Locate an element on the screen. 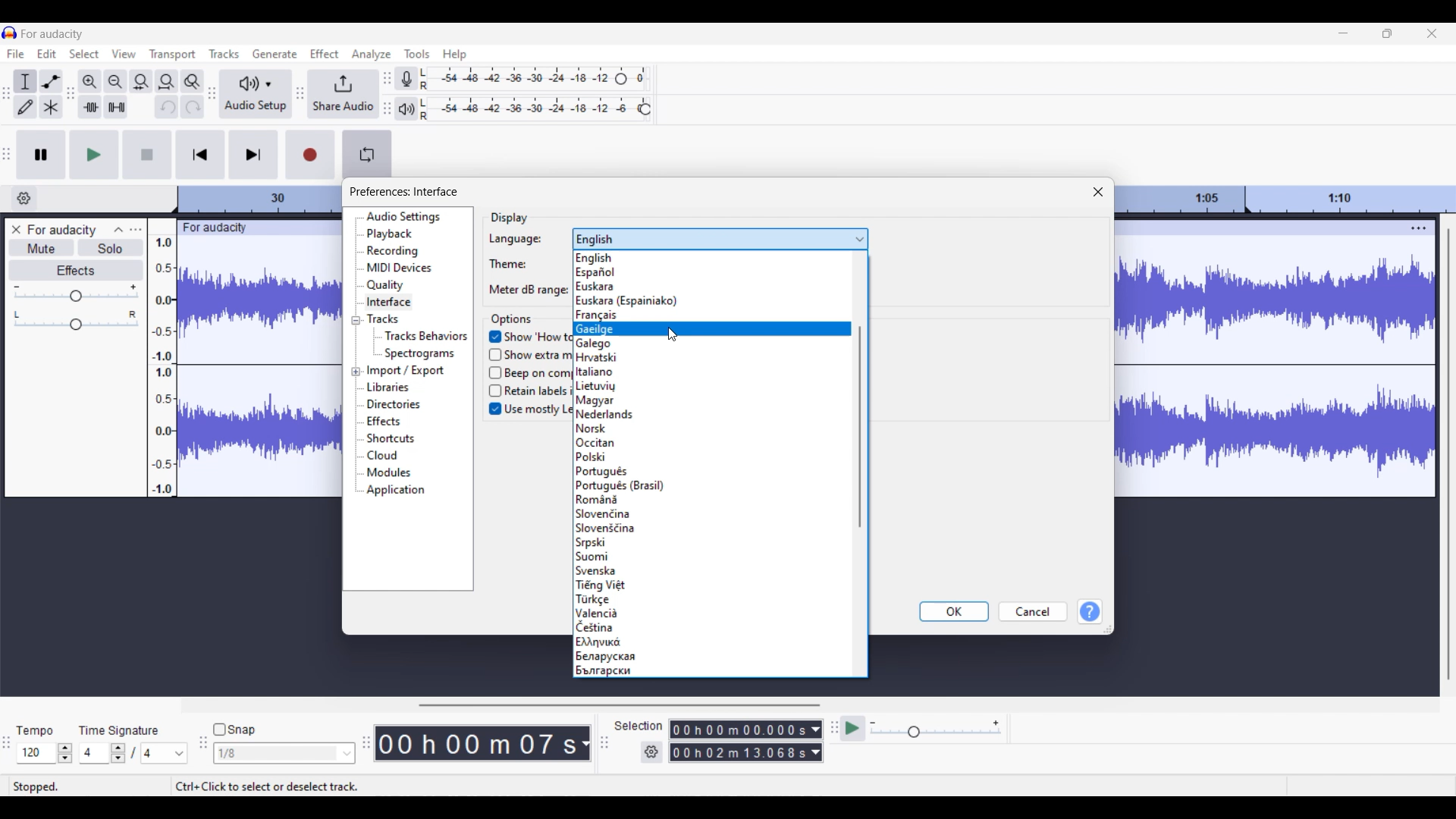 The image size is (1456, 819). Import/Export is located at coordinates (406, 371).